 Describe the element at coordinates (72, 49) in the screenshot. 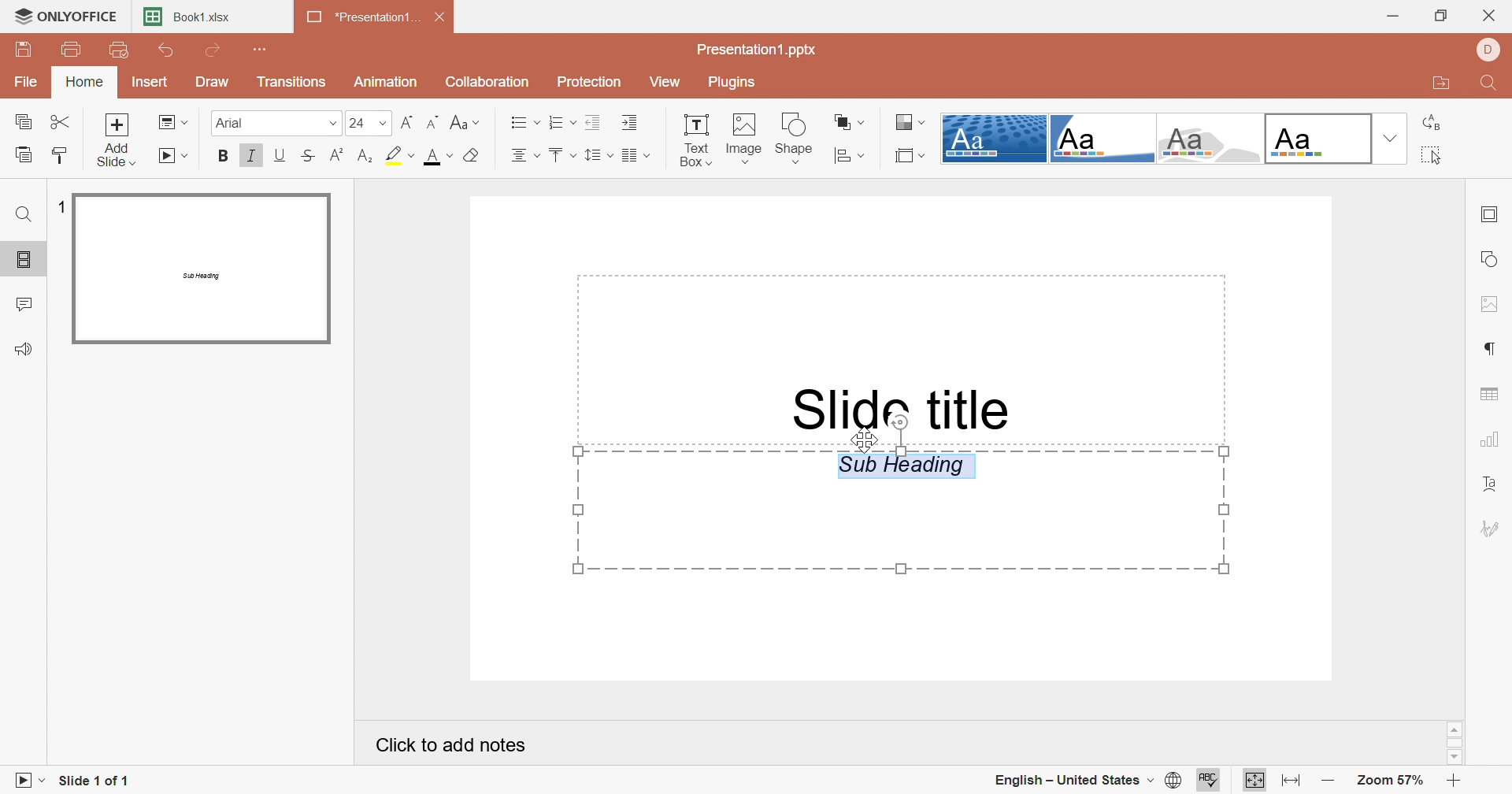

I see `Print` at that location.